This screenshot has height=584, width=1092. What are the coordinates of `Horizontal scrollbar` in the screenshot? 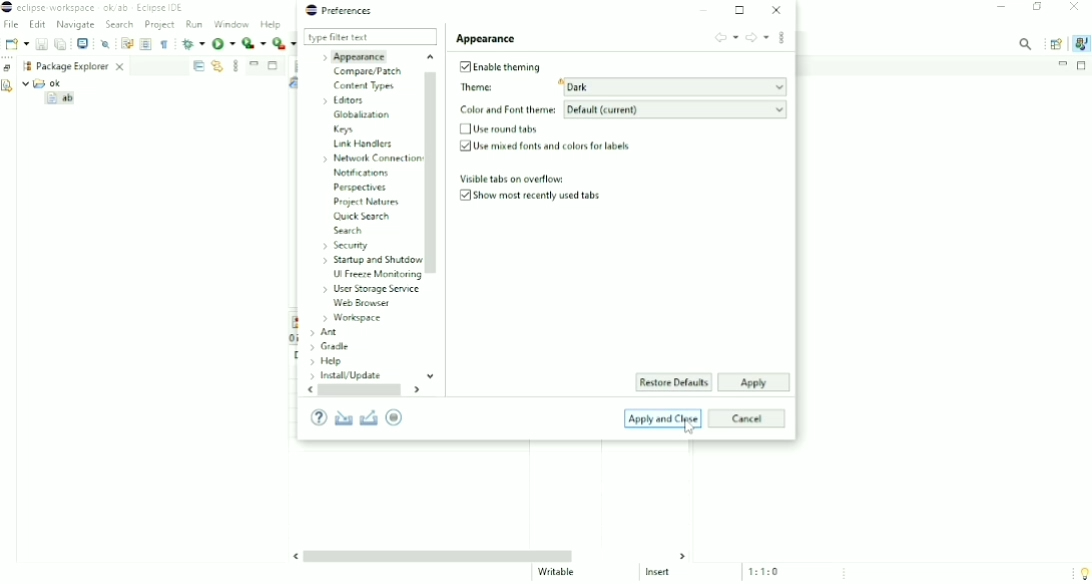 It's located at (491, 556).